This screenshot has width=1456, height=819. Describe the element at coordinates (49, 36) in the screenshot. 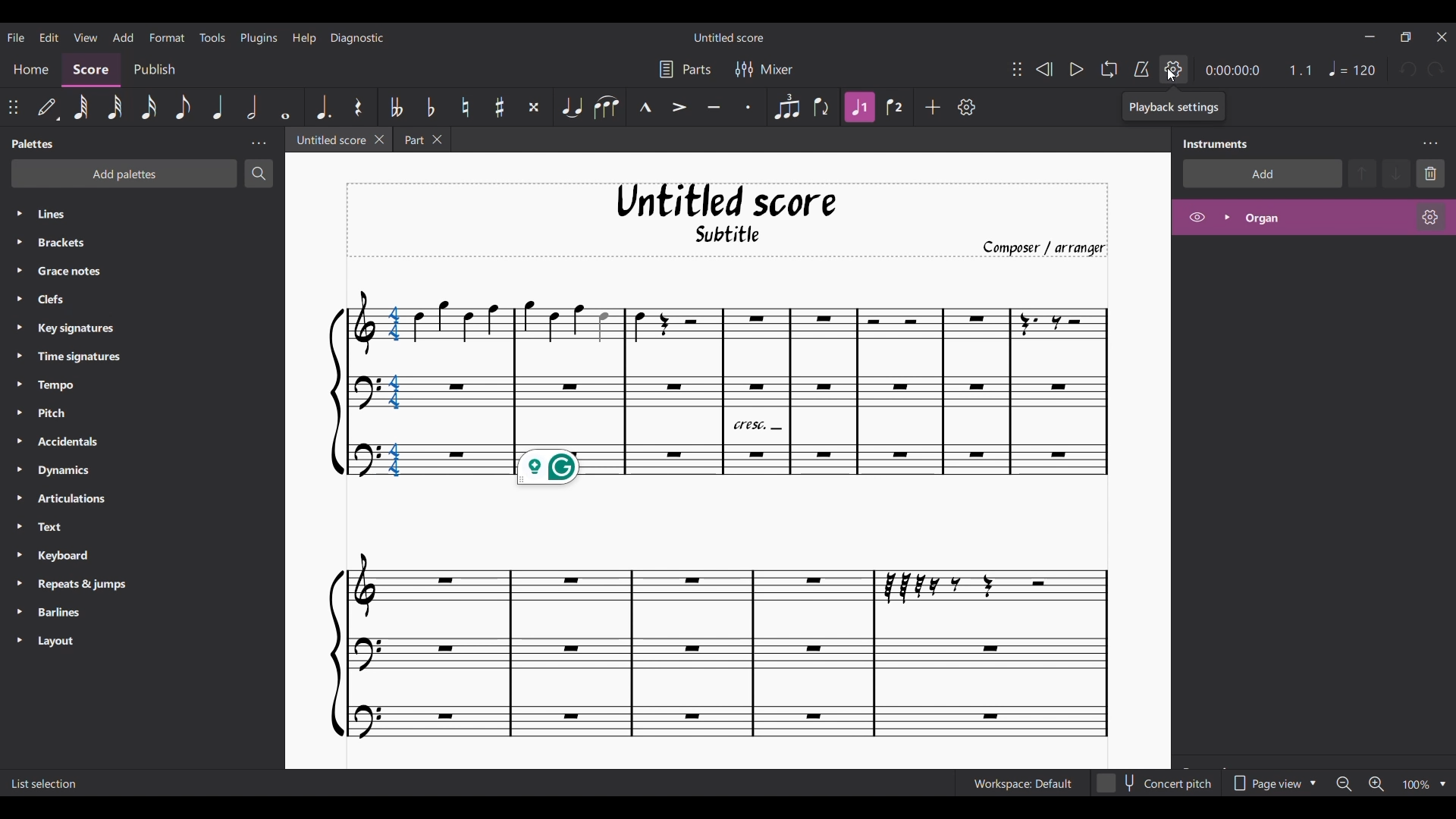

I see `Edit menu` at that location.